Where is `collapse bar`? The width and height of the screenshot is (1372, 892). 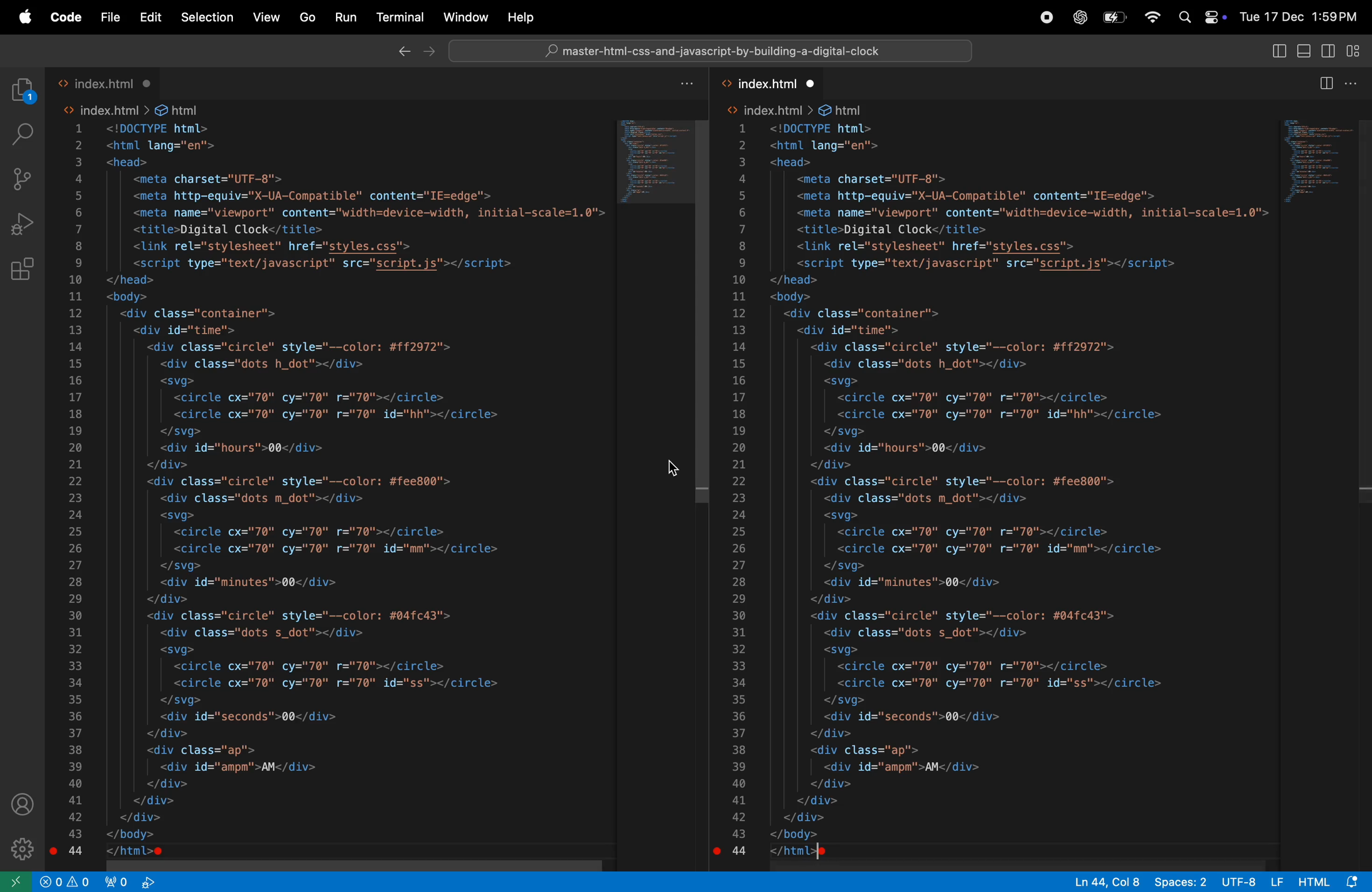 collapse bar is located at coordinates (1355, 50).